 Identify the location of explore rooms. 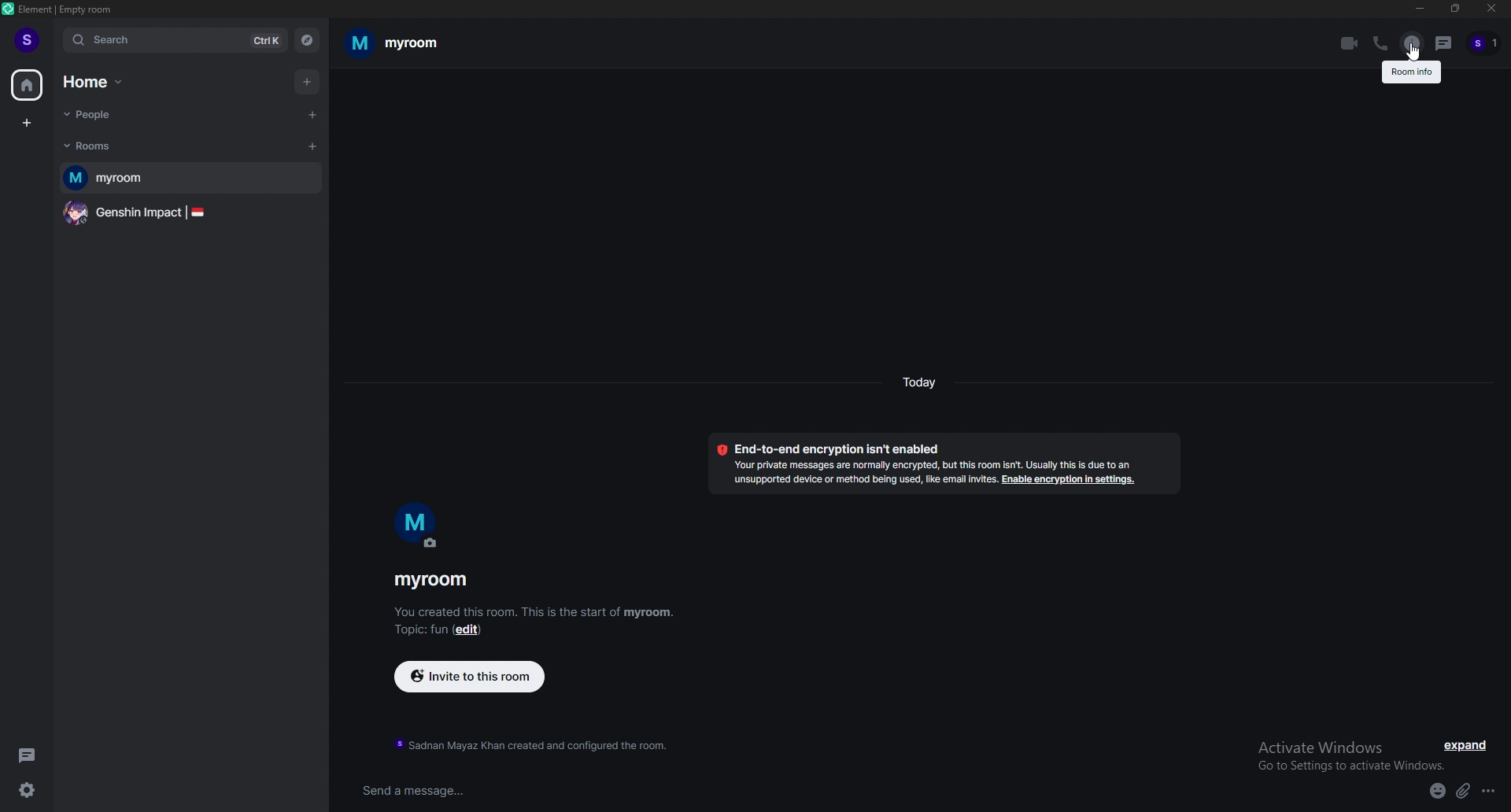
(307, 40).